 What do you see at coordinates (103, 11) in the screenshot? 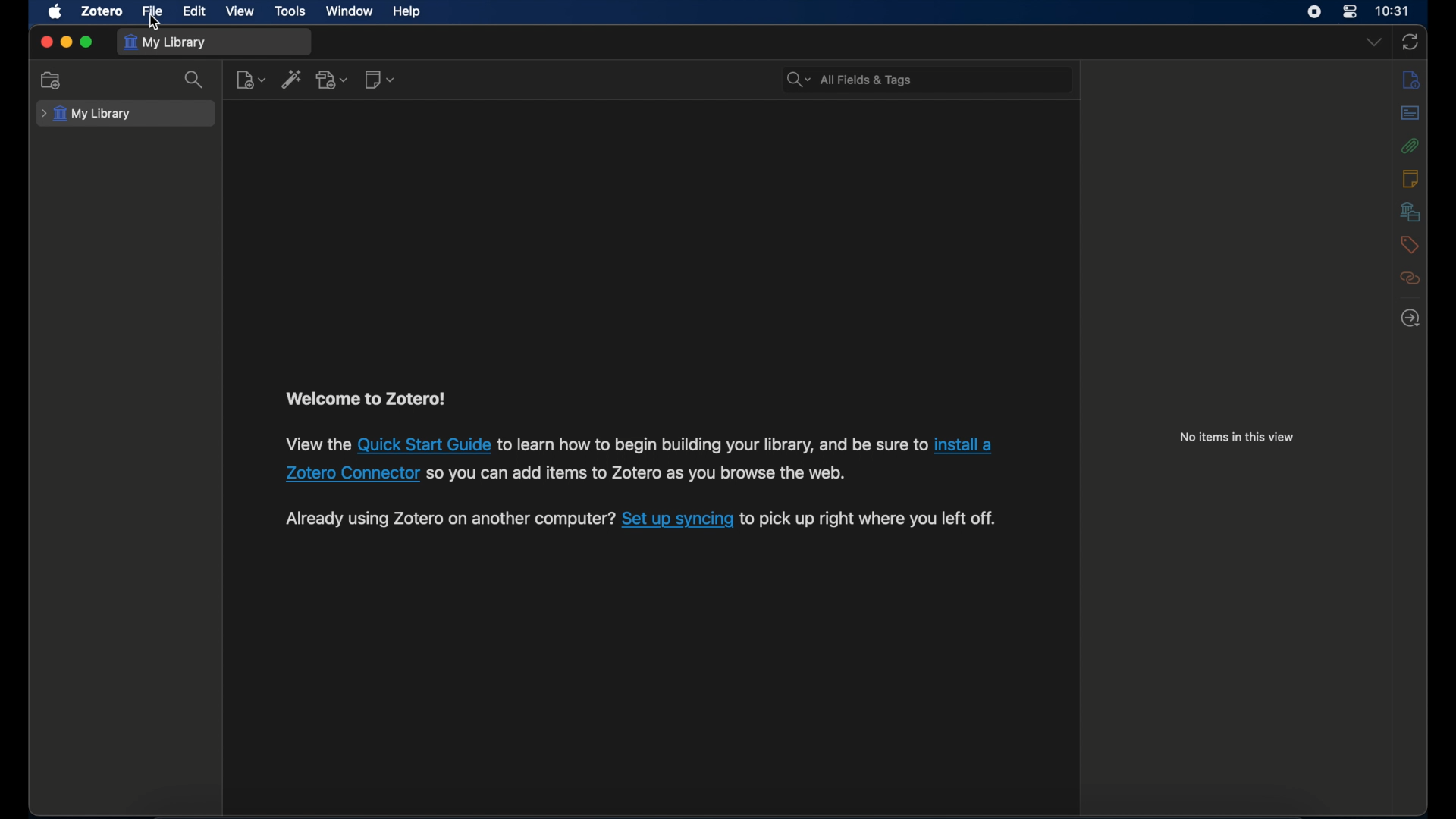
I see `zotero` at bounding box center [103, 11].